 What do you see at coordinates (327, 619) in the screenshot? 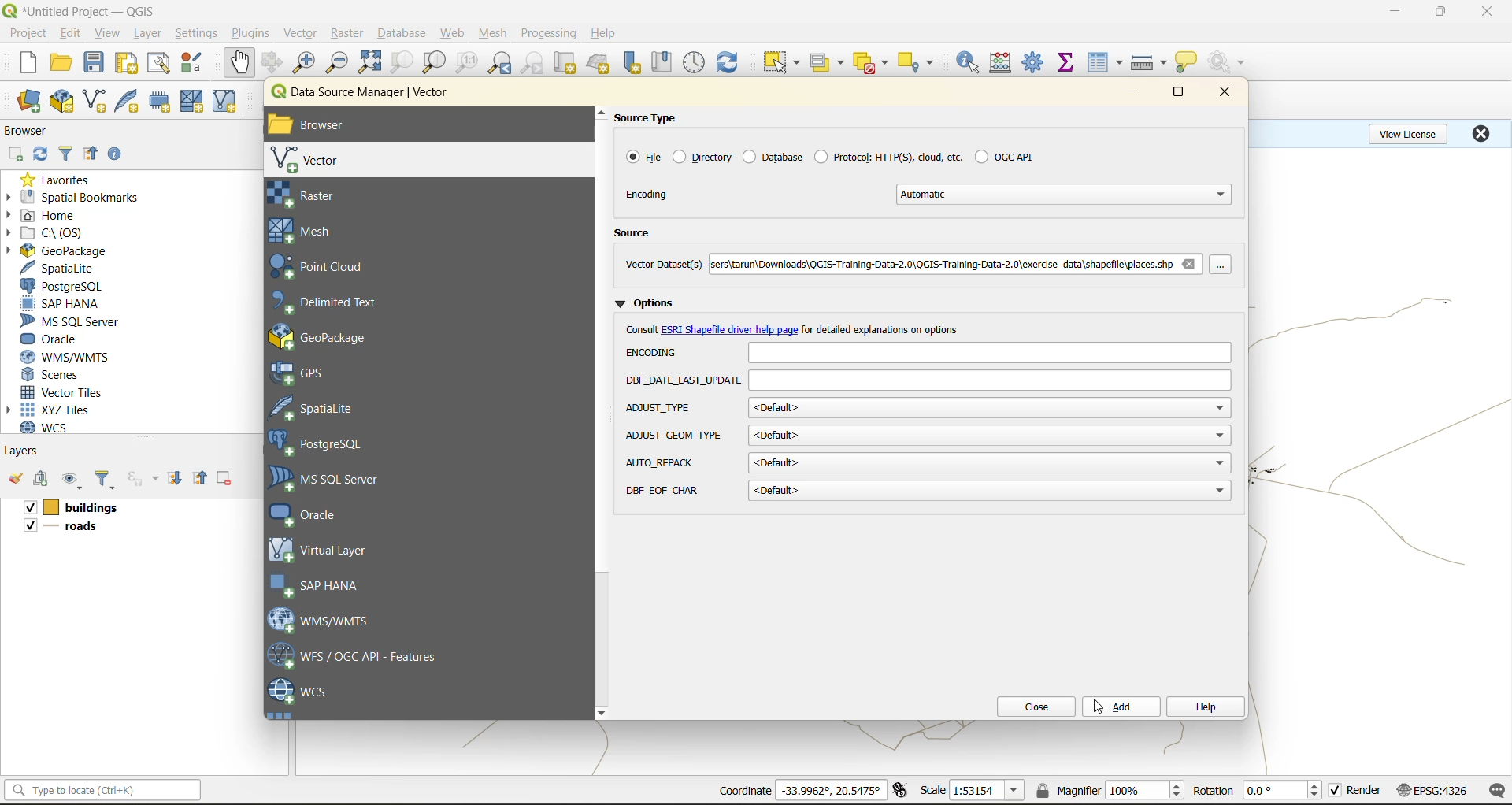
I see `wms/wmts` at bounding box center [327, 619].